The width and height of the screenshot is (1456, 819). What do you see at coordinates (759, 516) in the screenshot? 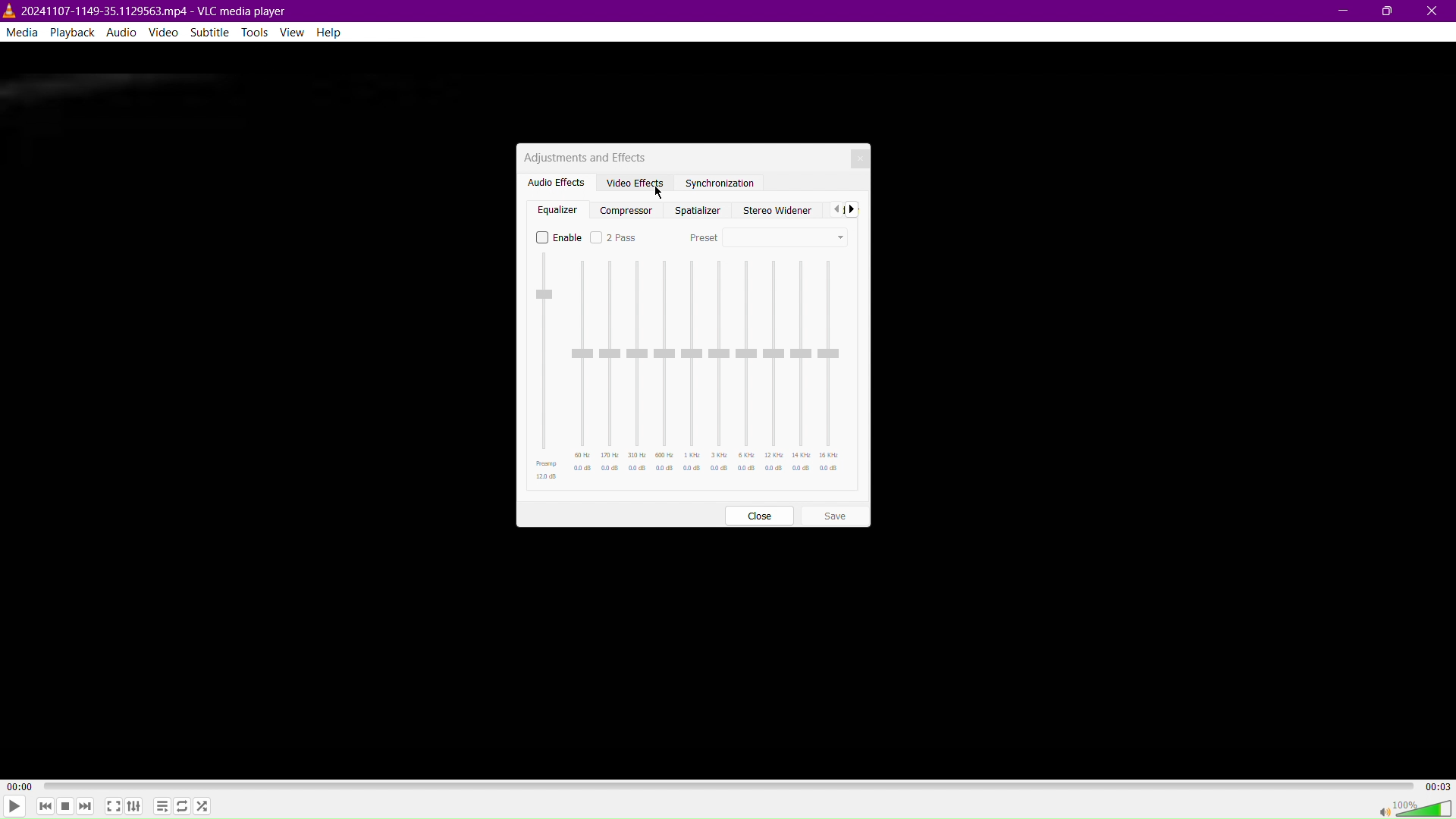
I see `Close` at bounding box center [759, 516].